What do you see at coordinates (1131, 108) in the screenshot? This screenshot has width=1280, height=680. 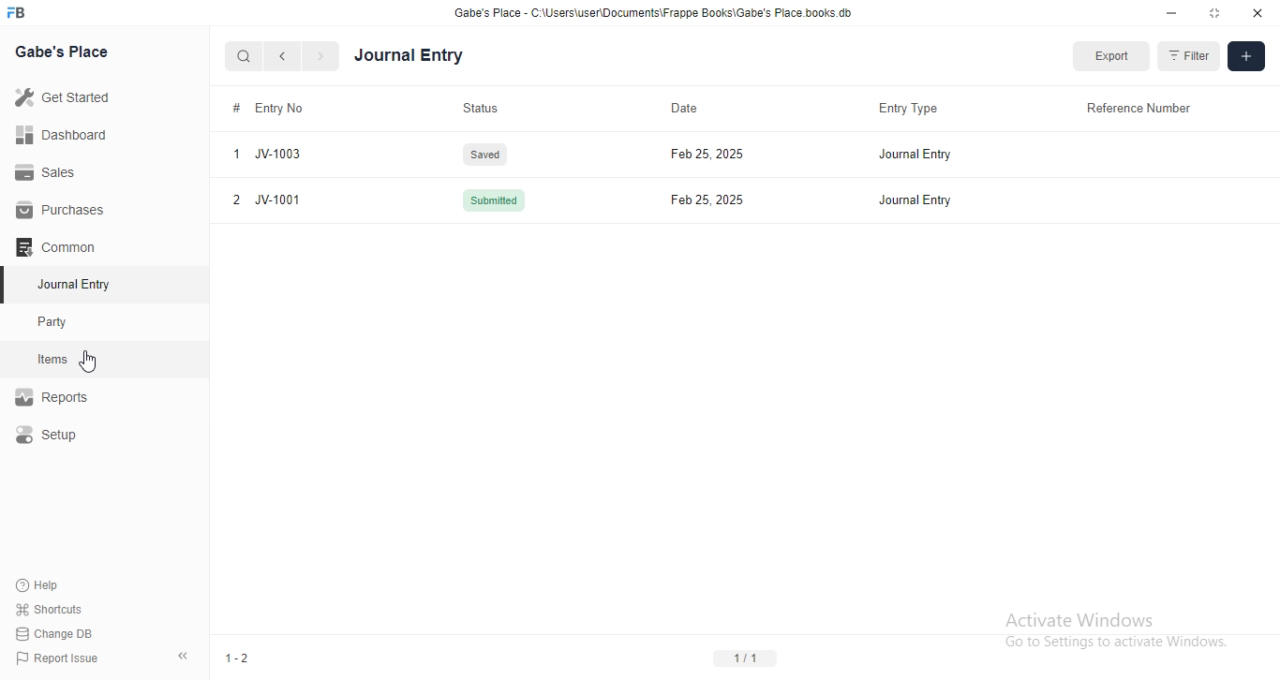 I see `Reference Number` at bounding box center [1131, 108].